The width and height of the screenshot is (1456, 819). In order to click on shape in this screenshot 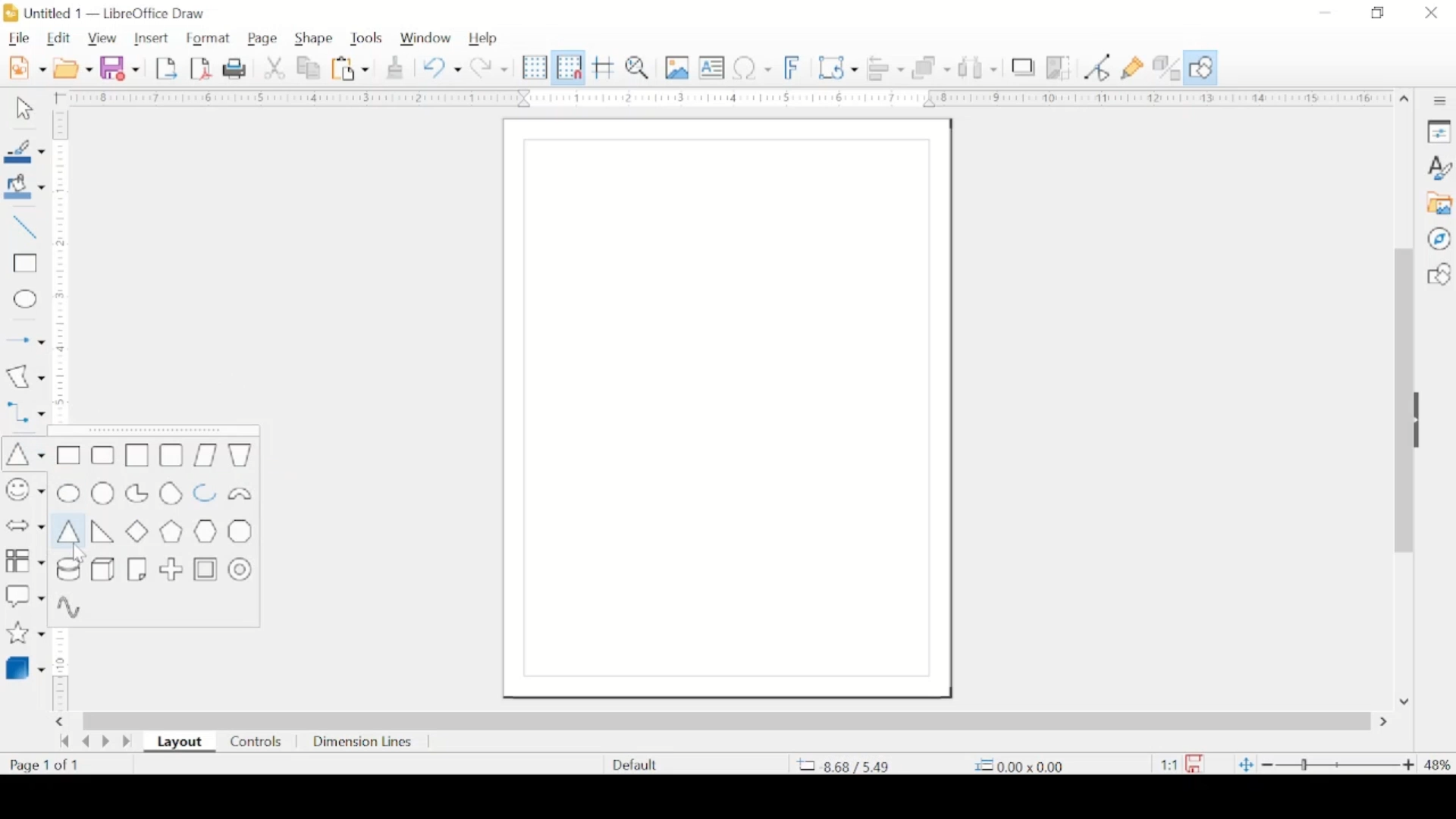, I will do `click(312, 36)`.